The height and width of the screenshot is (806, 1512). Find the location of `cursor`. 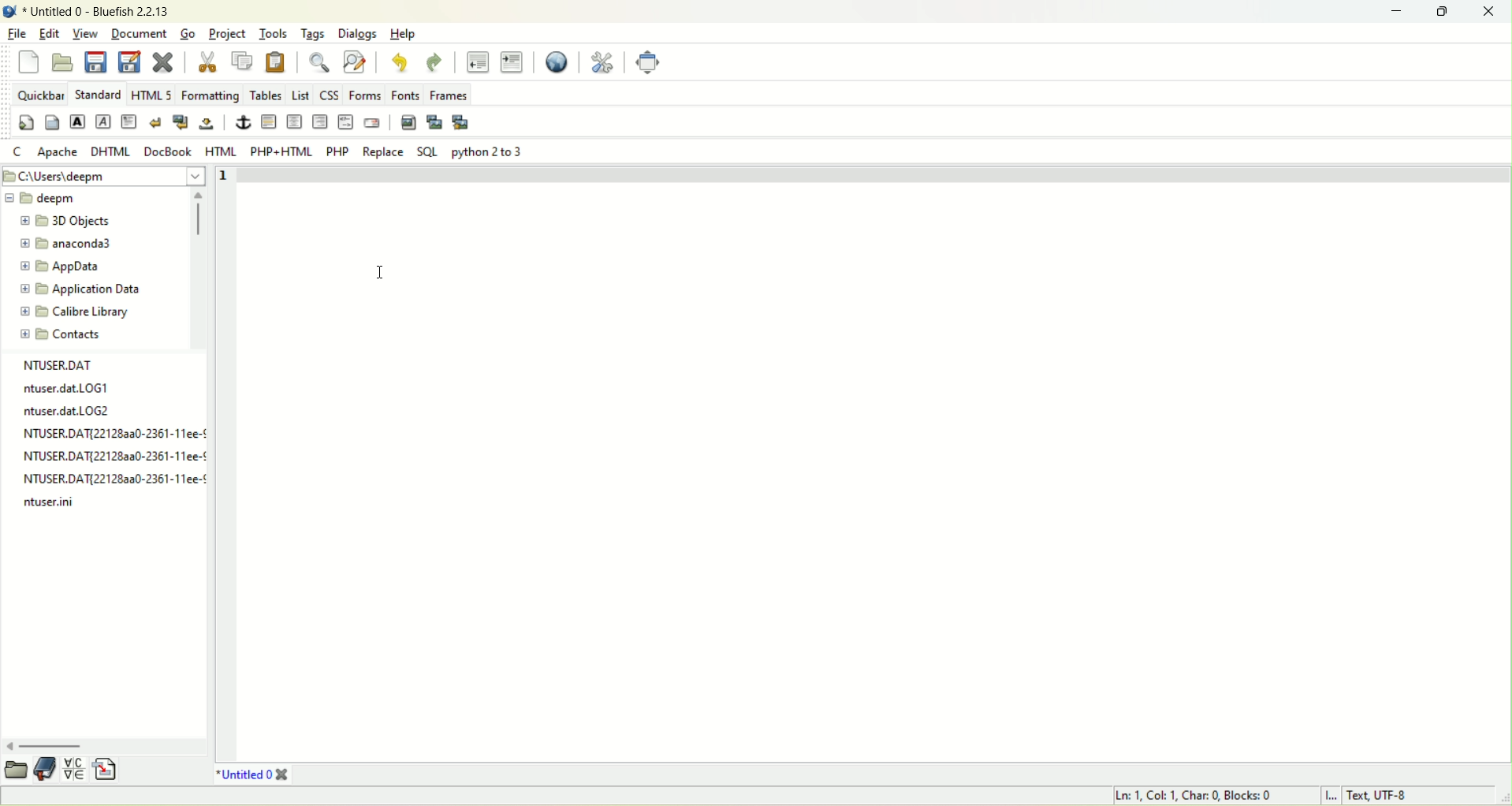

cursor is located at coordinates (383, 274).